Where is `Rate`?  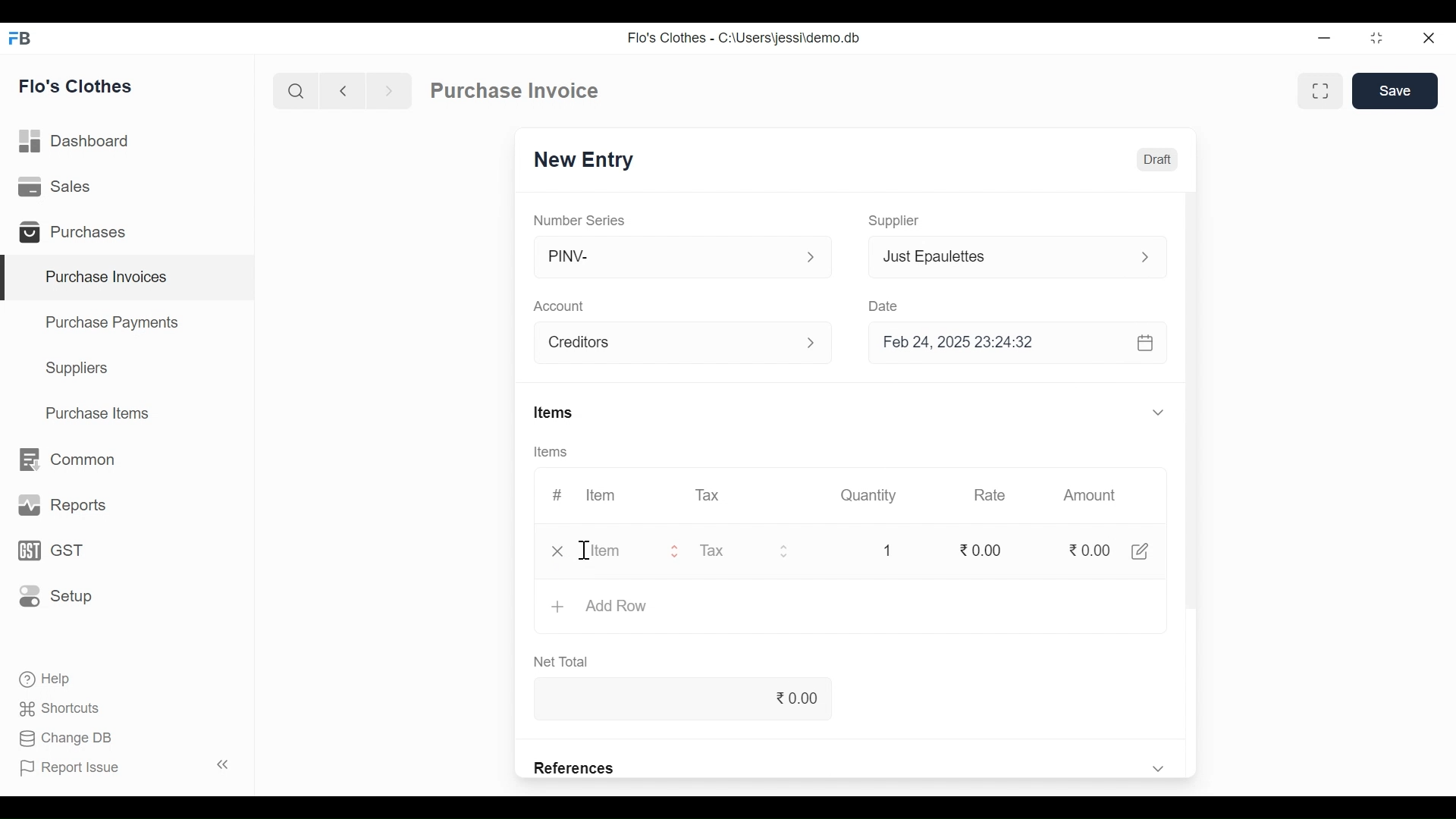
Rate is located at coordinates (988, 495).